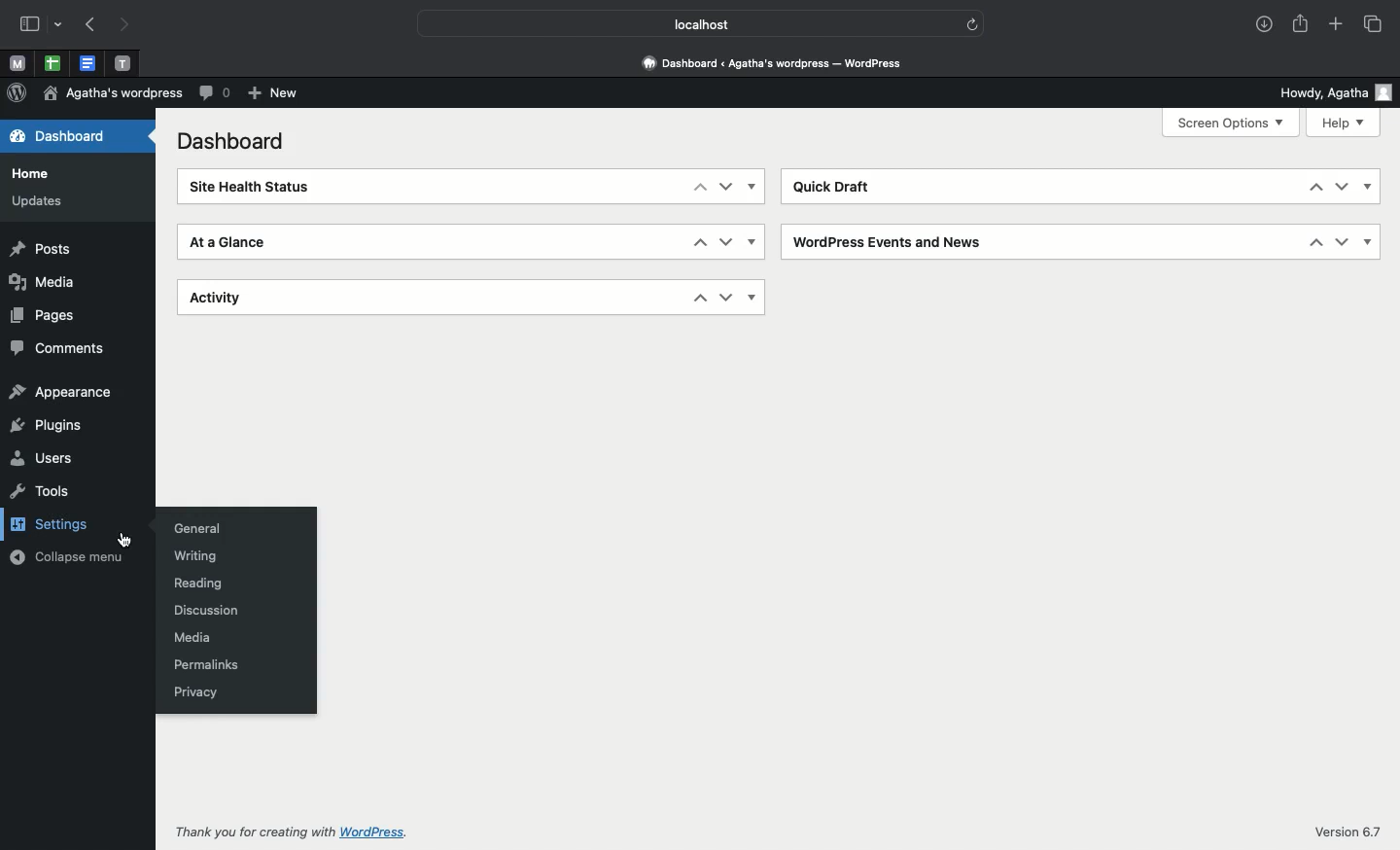  Describe the element at coordinates (1369, 241) in the screenshot. I see `Show` at that location.